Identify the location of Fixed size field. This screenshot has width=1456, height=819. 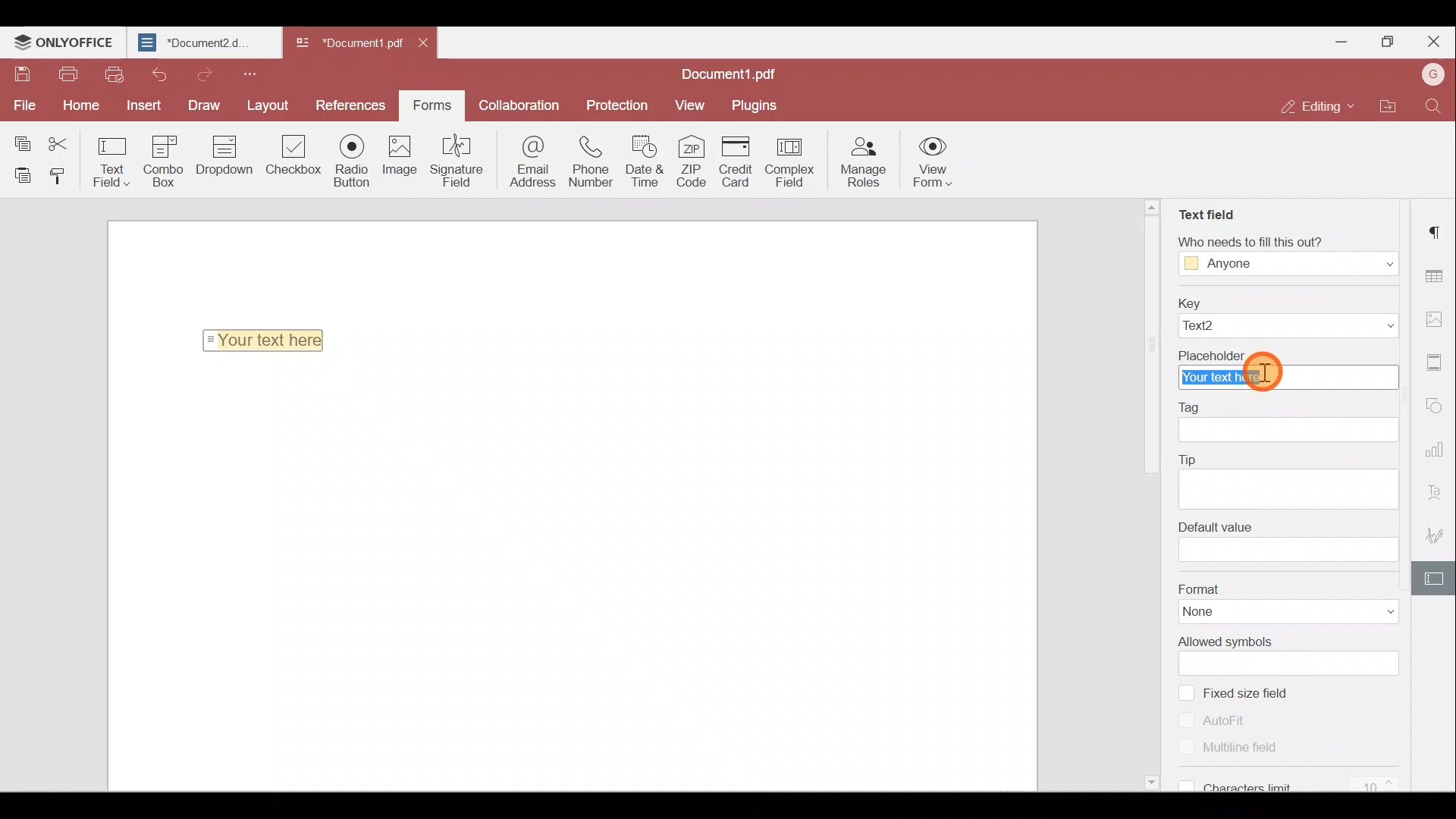
(1261, 692).